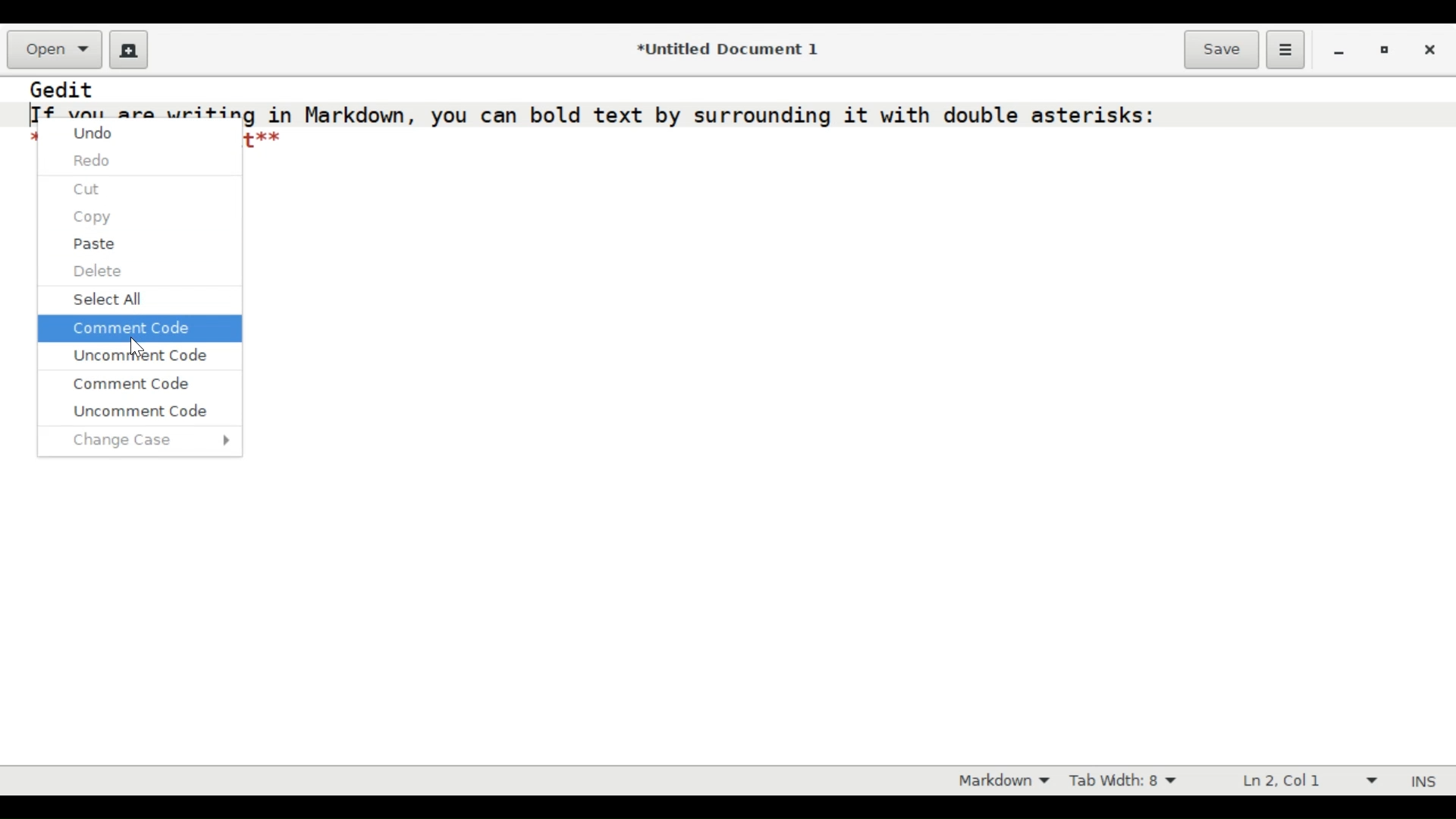 The width and height of the screenshot is (1456, 819). I want to click on Uncomment Code, so click(140, 409).